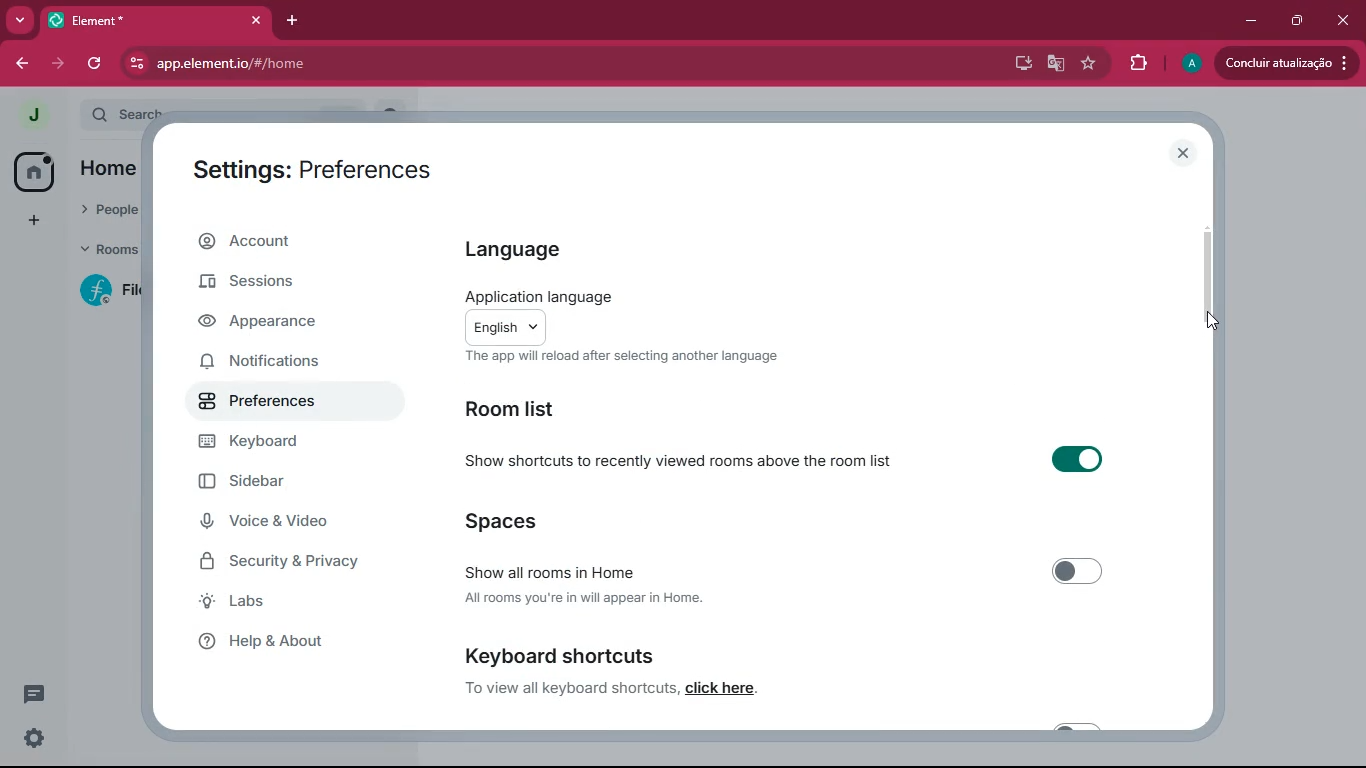 Image resolution: width=1366 pixels, height=768 pixels. I want to click on appearance, so click(274, 323).